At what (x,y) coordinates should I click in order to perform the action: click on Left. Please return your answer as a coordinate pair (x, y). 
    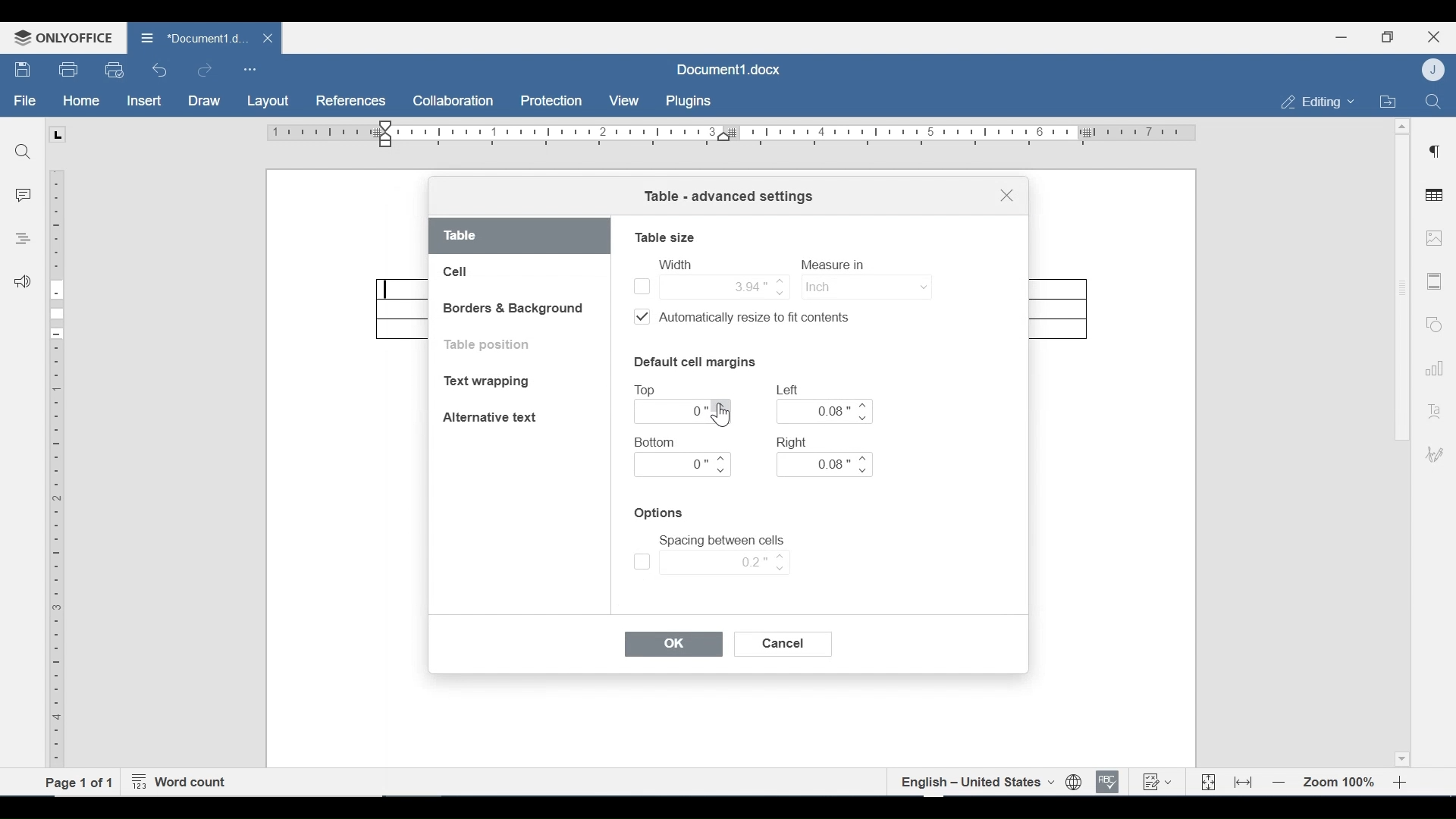
    Looking at the image, I should click on (789, 390).